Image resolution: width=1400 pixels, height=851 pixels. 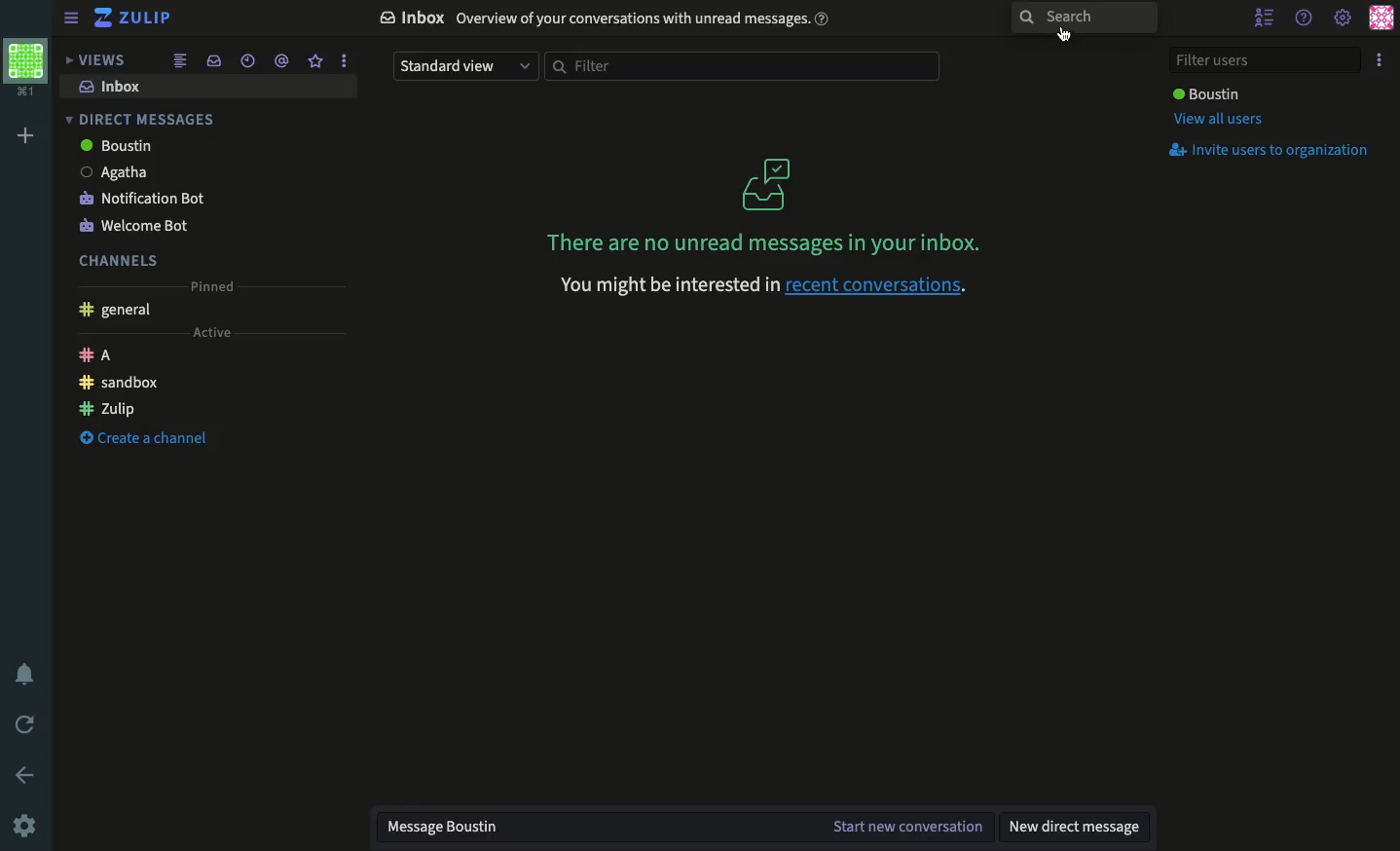 I want to click on General, so click(x=117, y=311).